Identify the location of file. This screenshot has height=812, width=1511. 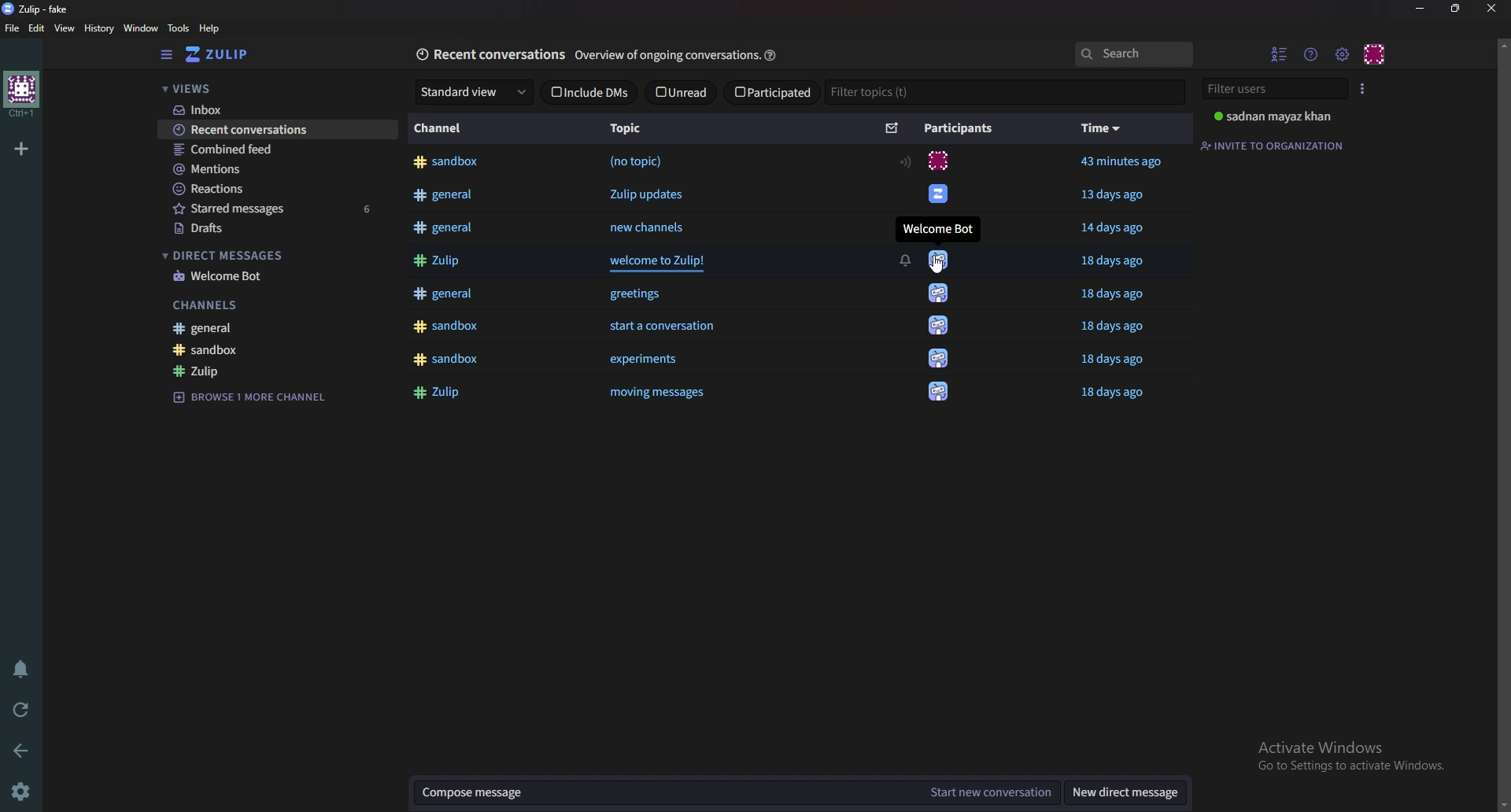
(13, 28).